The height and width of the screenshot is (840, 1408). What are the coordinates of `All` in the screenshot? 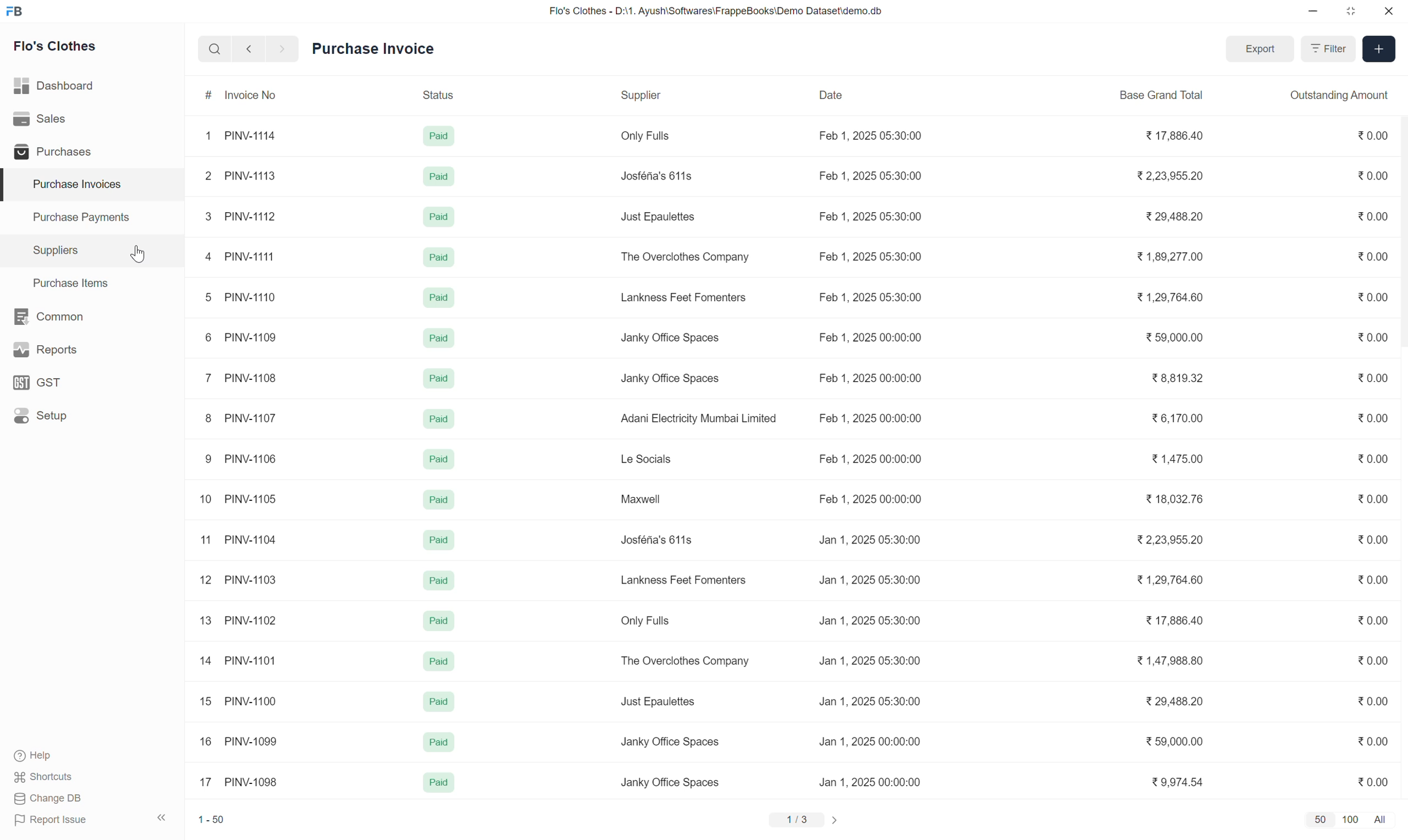 It's located at (1380, 820).